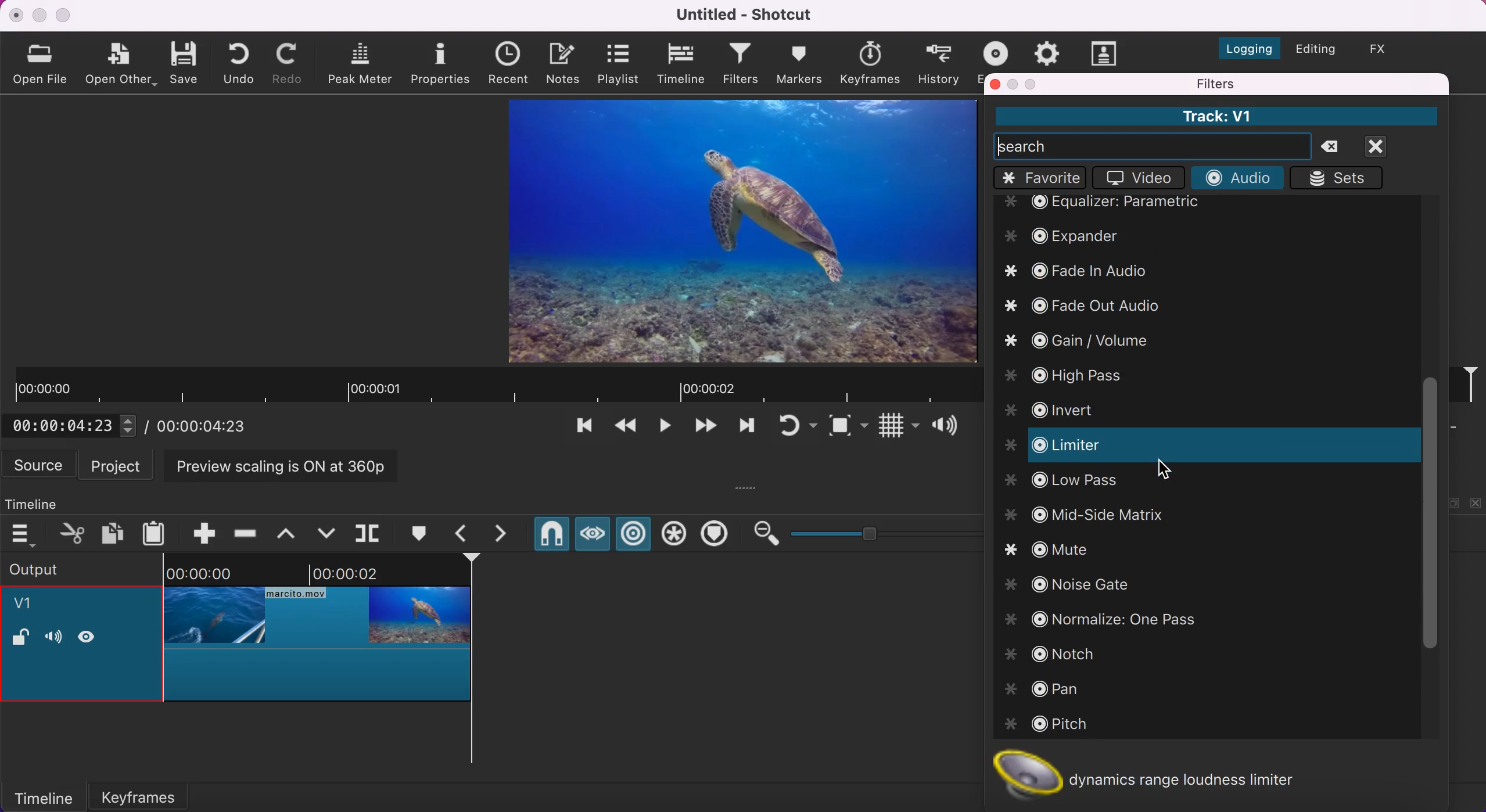  I want to click on minimize, so click(1014, 84).